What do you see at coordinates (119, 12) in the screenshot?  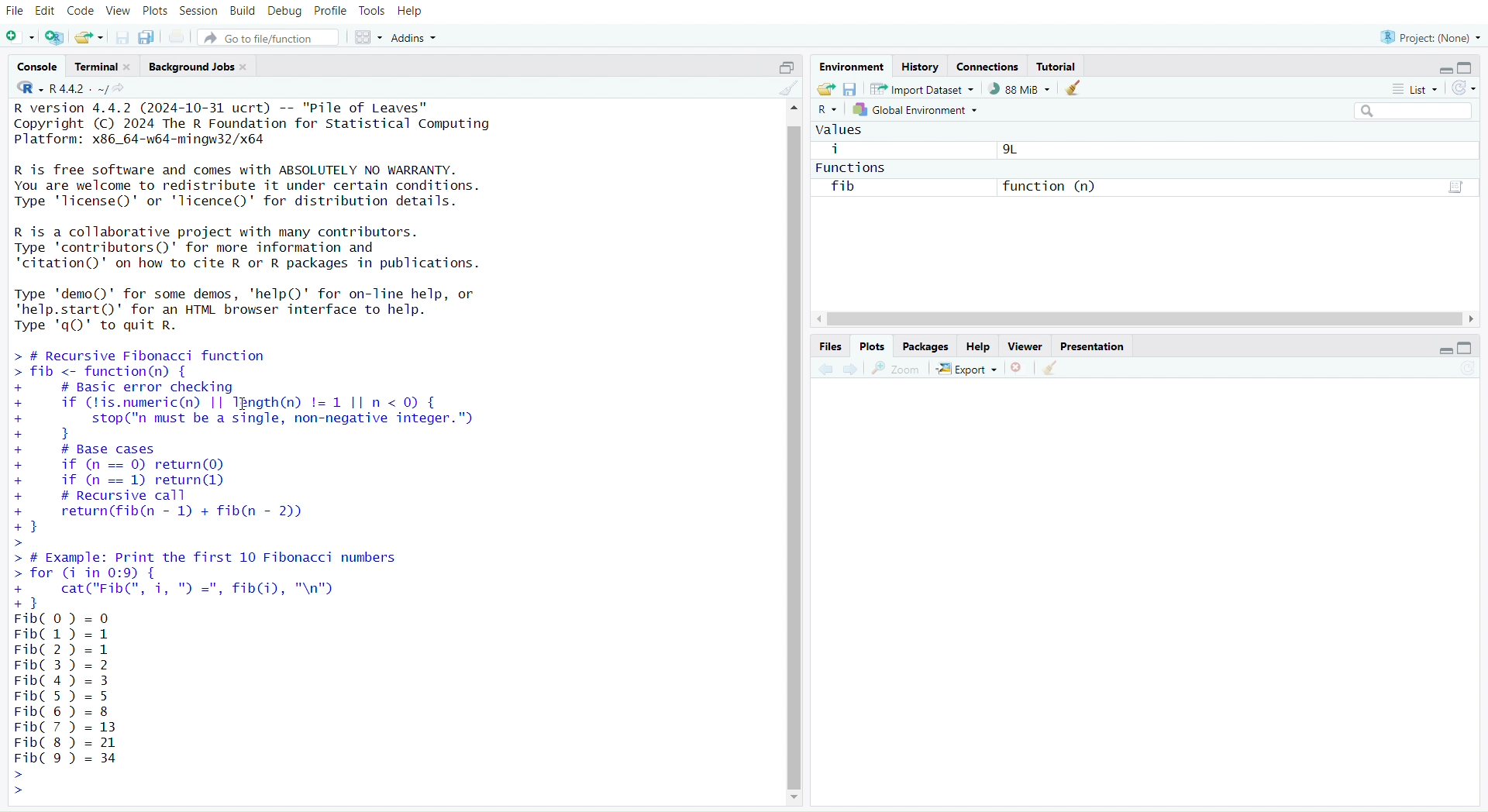 I see `view` at bounding box center [119, 12].